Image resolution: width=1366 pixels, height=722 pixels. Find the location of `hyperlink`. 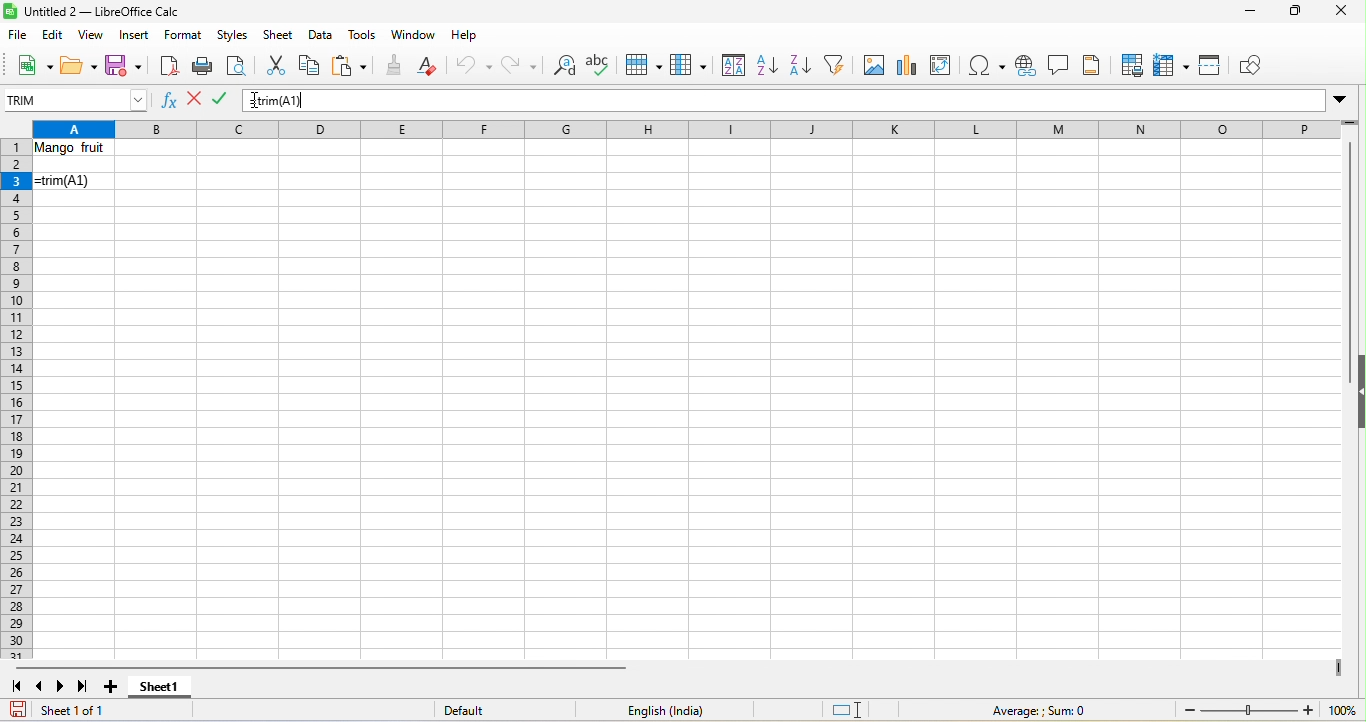

hyperlink is located at coordinates (1028, 67).